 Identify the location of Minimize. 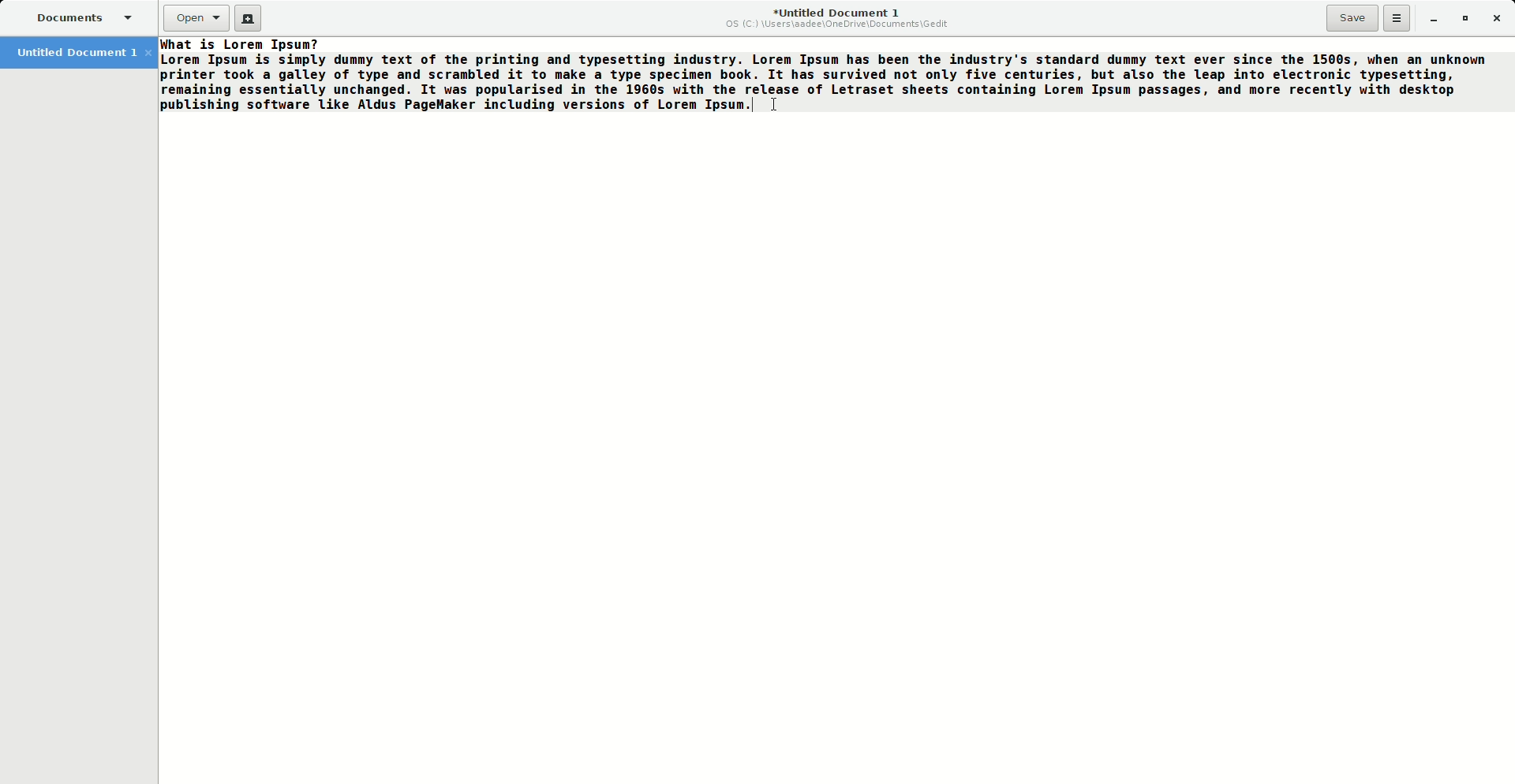
(1428, 18).